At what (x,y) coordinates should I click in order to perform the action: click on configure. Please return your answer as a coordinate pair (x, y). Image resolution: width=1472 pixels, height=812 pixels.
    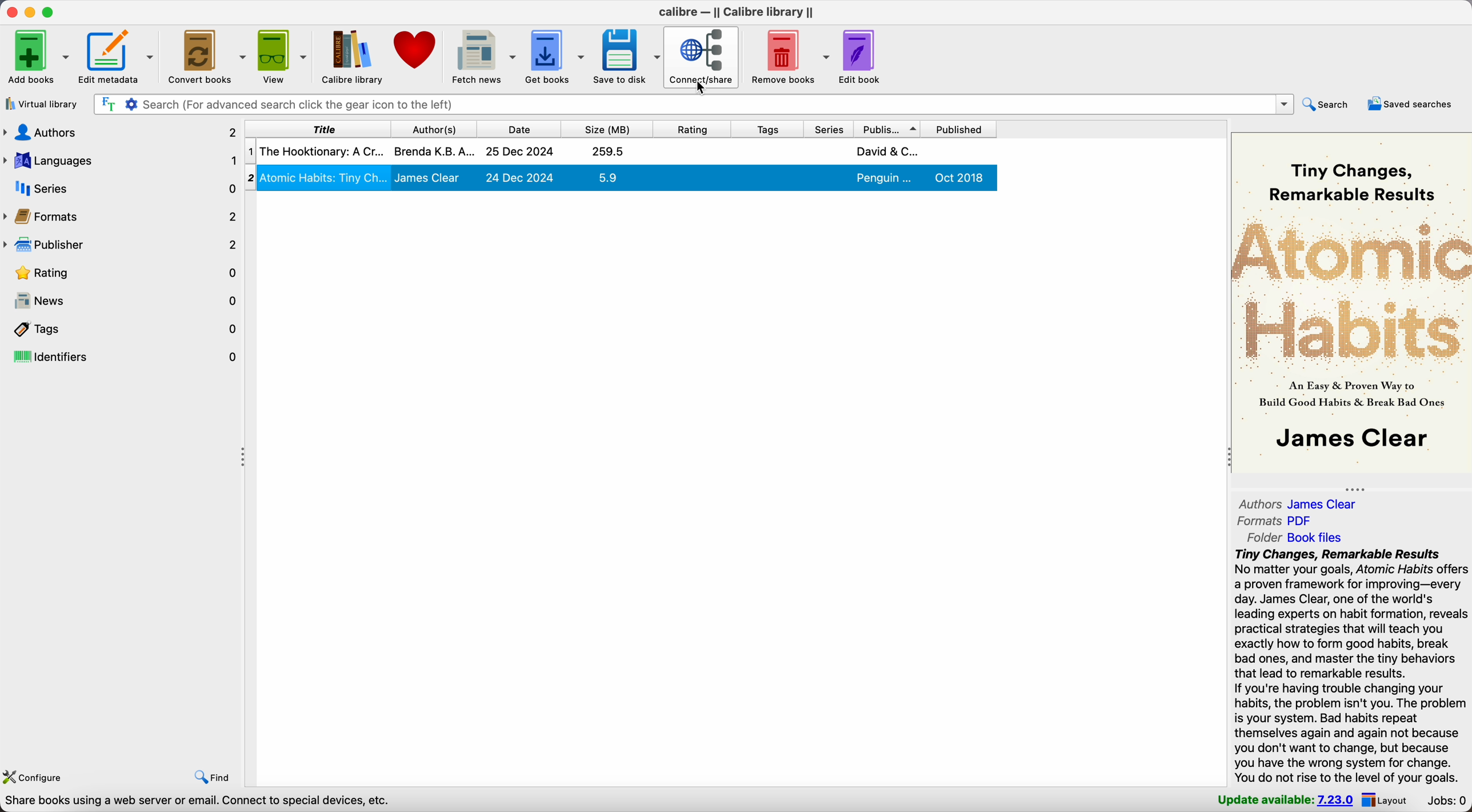
    Looking at the image, I should click on (37, 776).